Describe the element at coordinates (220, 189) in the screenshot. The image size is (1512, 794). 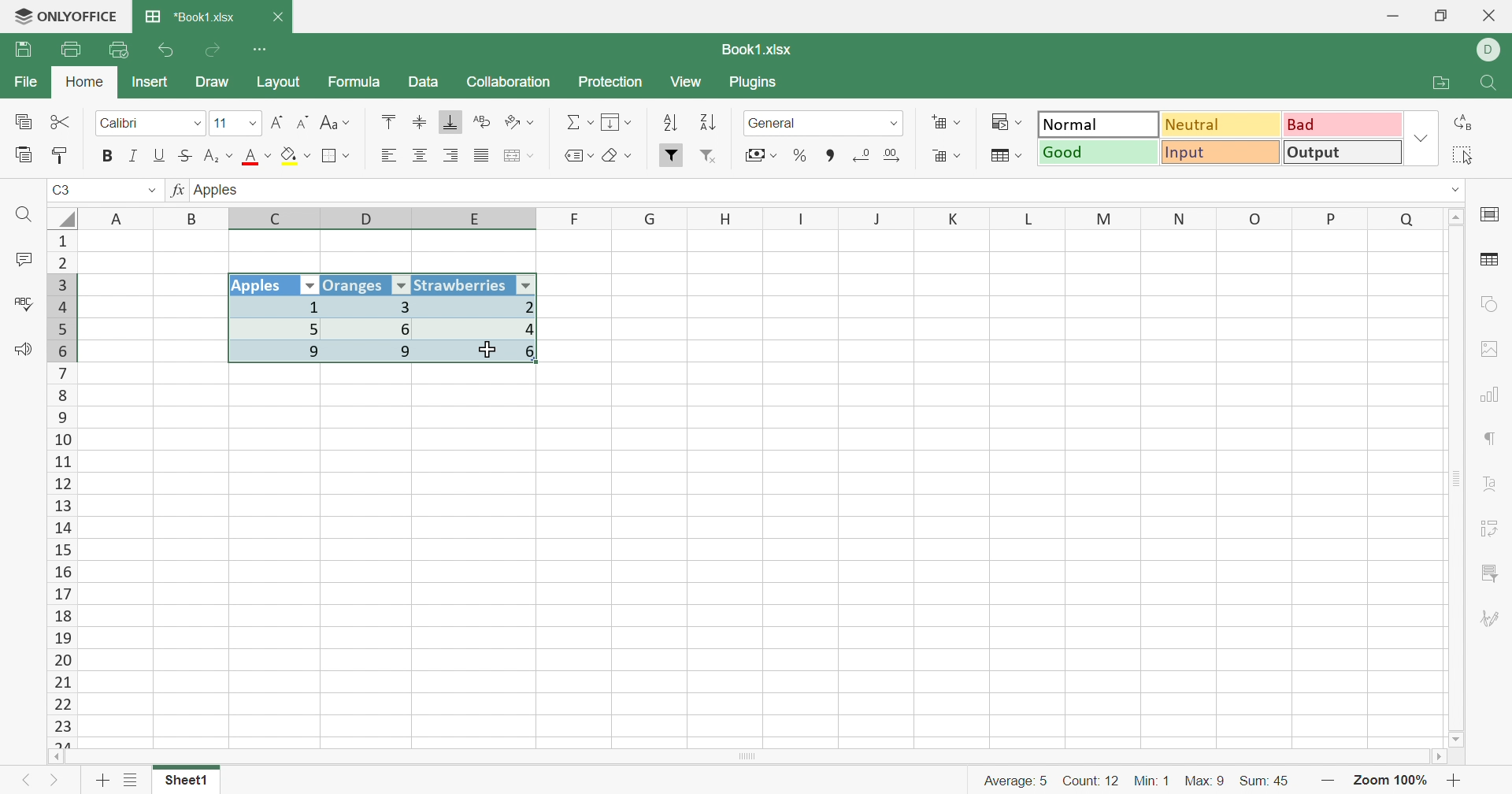
I see `Apples` at that location.